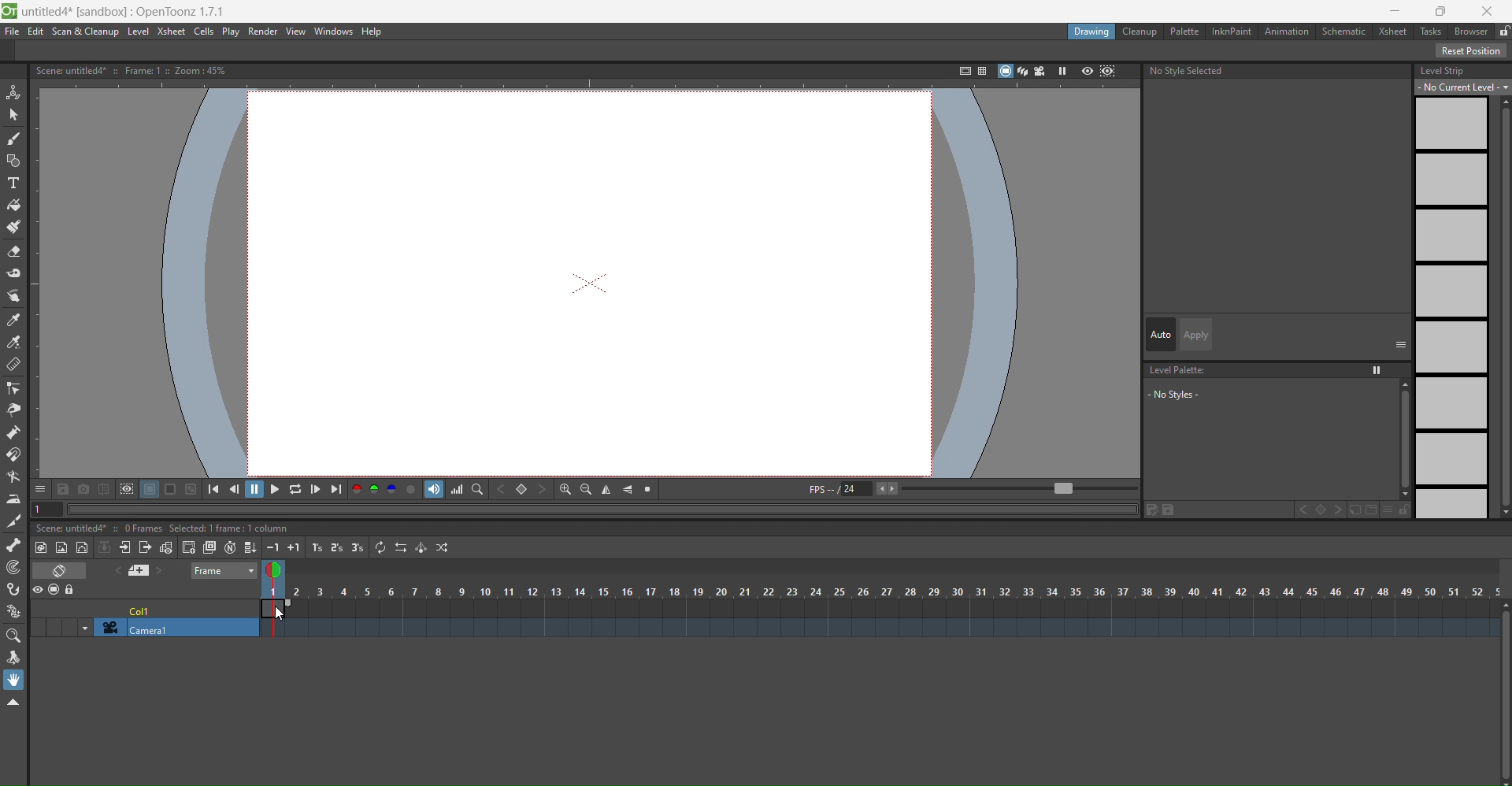 The image size is (1512, 786). Describe the element at coordinates (218, 488) in the screenshot. I see `first  frame` at that location.